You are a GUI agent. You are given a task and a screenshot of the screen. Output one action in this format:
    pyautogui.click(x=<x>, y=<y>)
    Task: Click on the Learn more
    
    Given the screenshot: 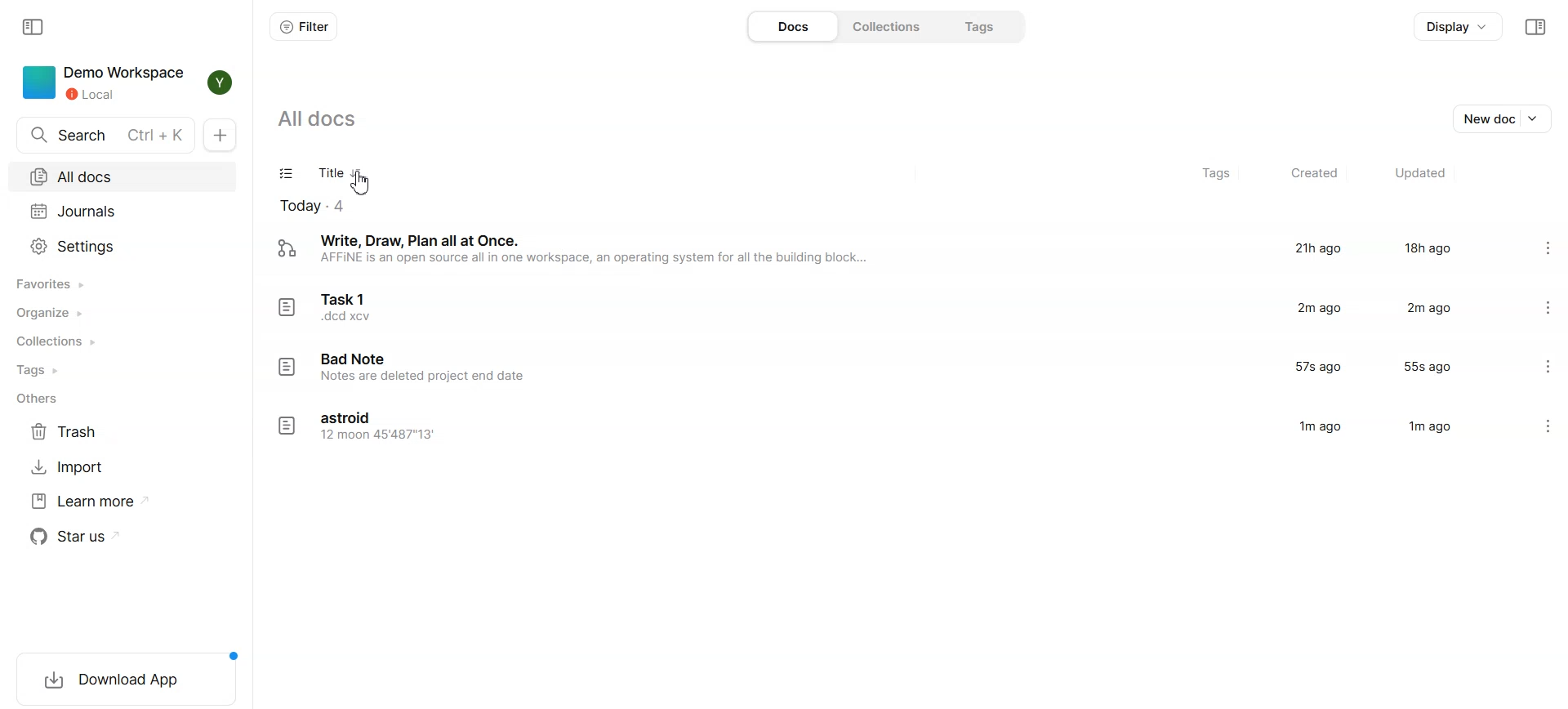 What is the action you would take?
    pyautogui.click(x=87, y=502)
    